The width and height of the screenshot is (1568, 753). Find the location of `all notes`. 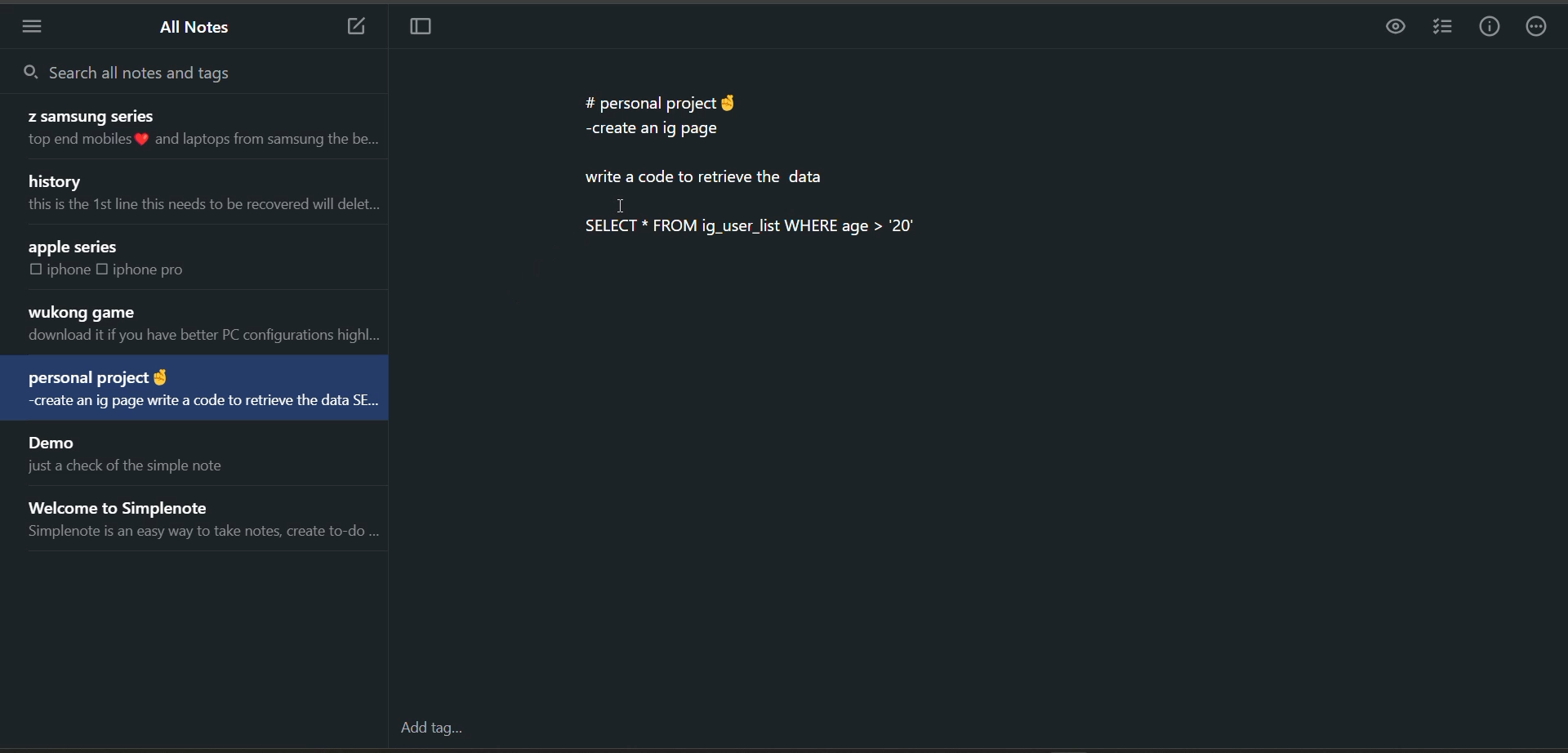

all notes is located at coordinates (197, 30).